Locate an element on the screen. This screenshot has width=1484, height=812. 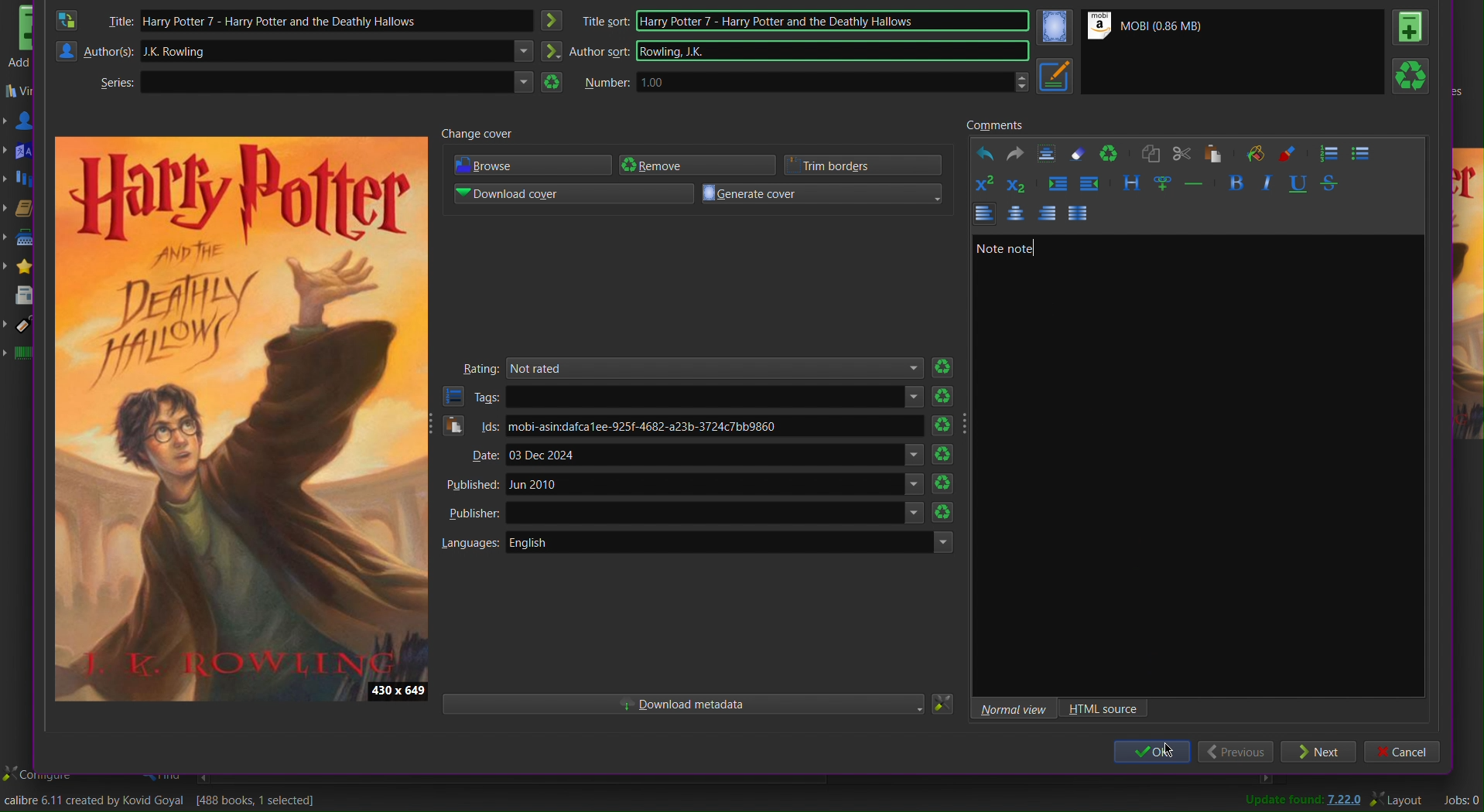
Redo is located at coordinates (1016, 153).